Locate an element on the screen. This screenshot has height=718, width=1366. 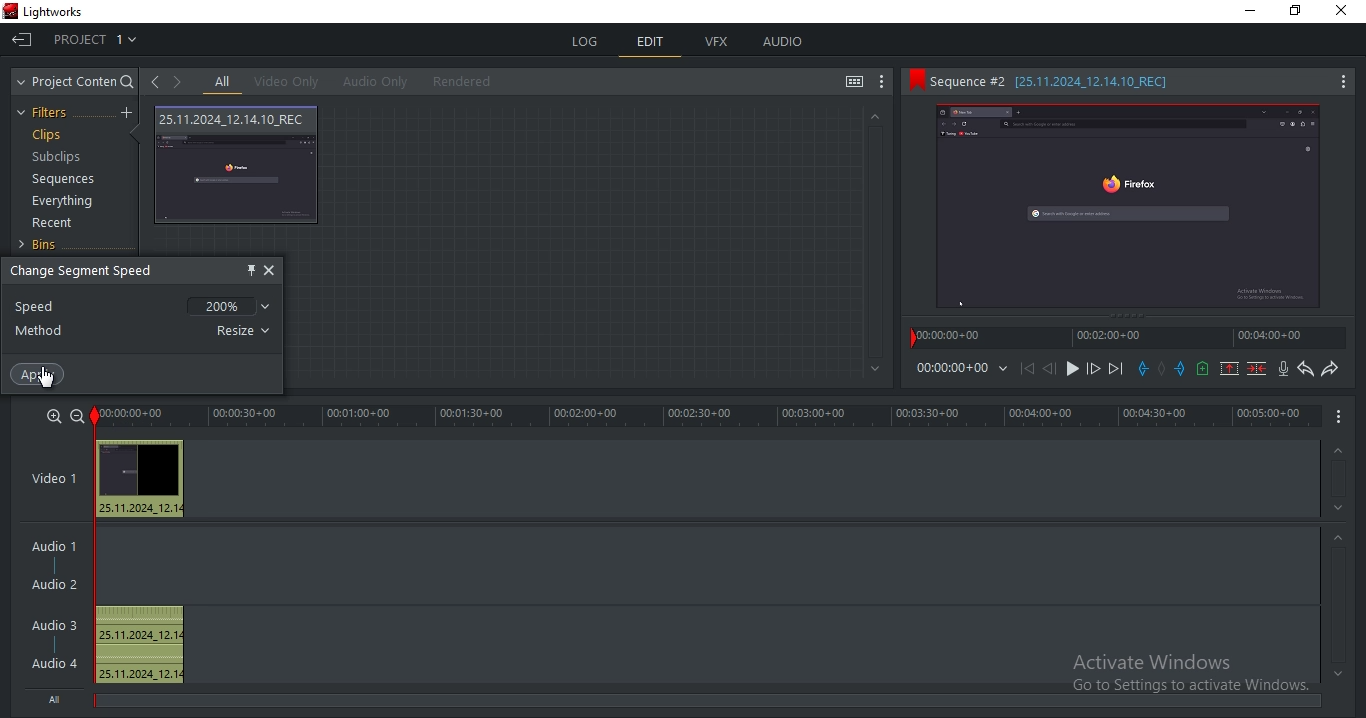
zoom out is located at coordinates (75, 415).